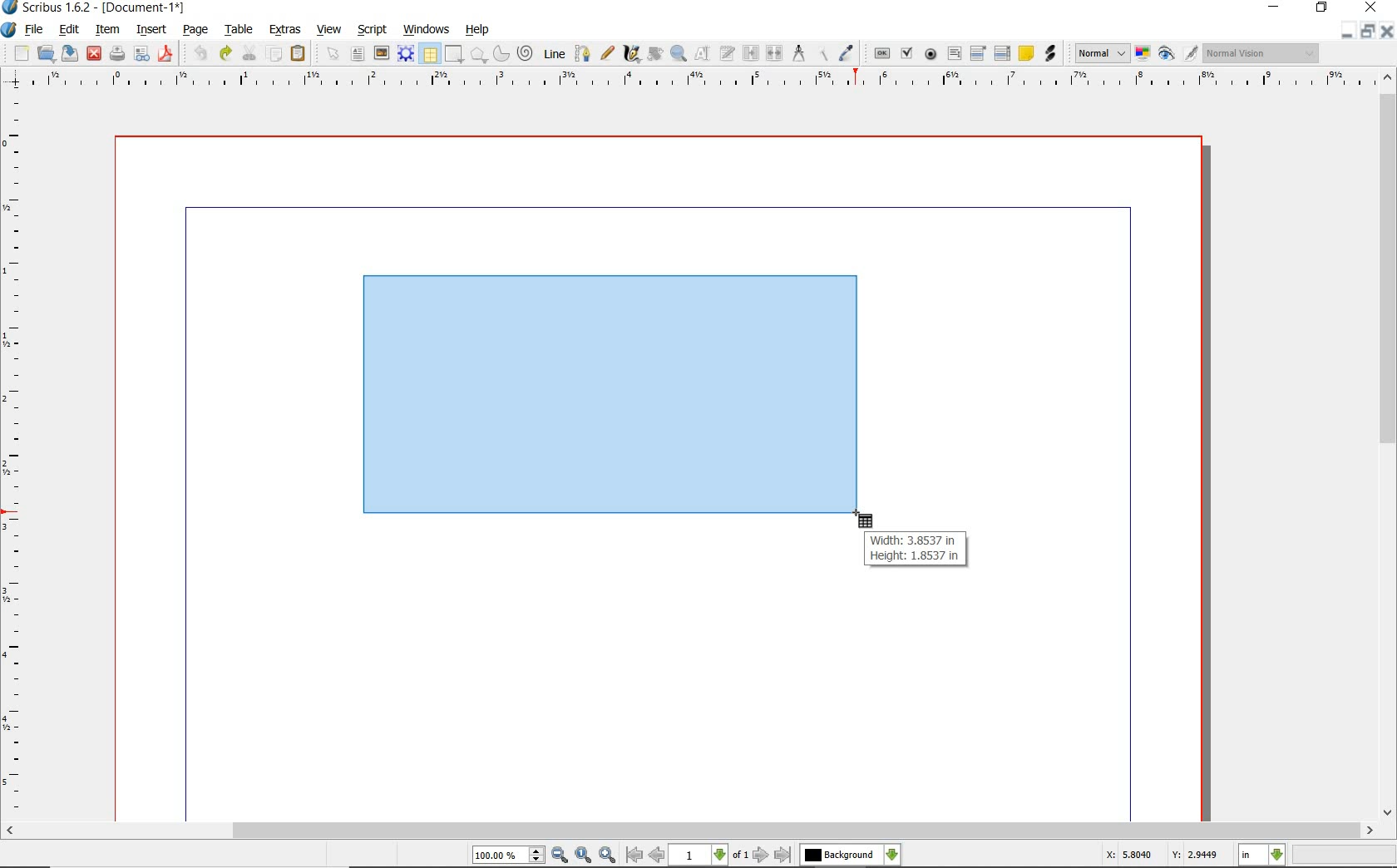 The width and height of the screenshot is (1397, 868). Describe the element at coordinates (1262, 855) in the screenshot. I see `select measurement` at that location.